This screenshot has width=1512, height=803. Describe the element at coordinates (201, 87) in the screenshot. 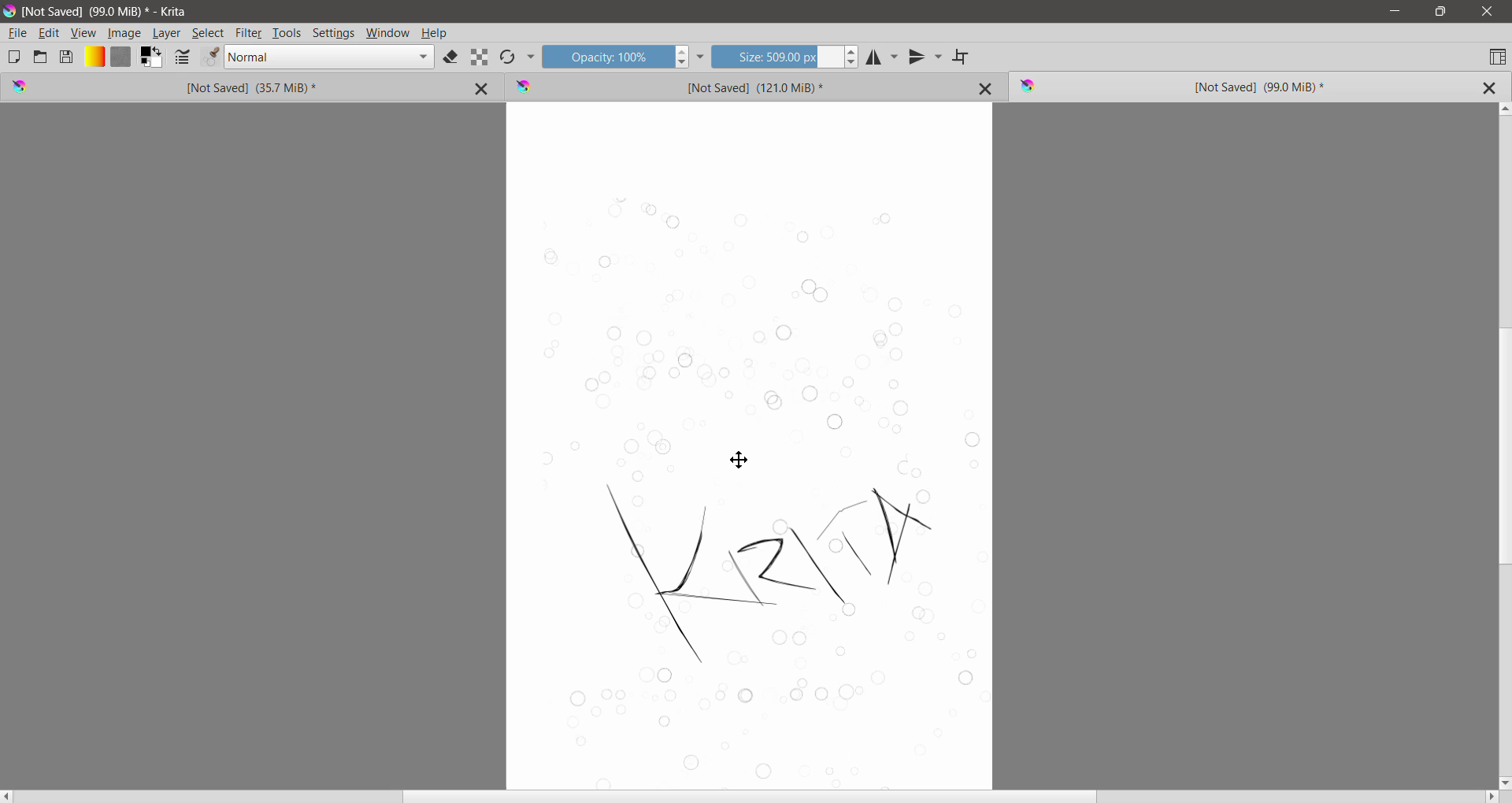

I see `Unsaved Image Tab 1` at that location.